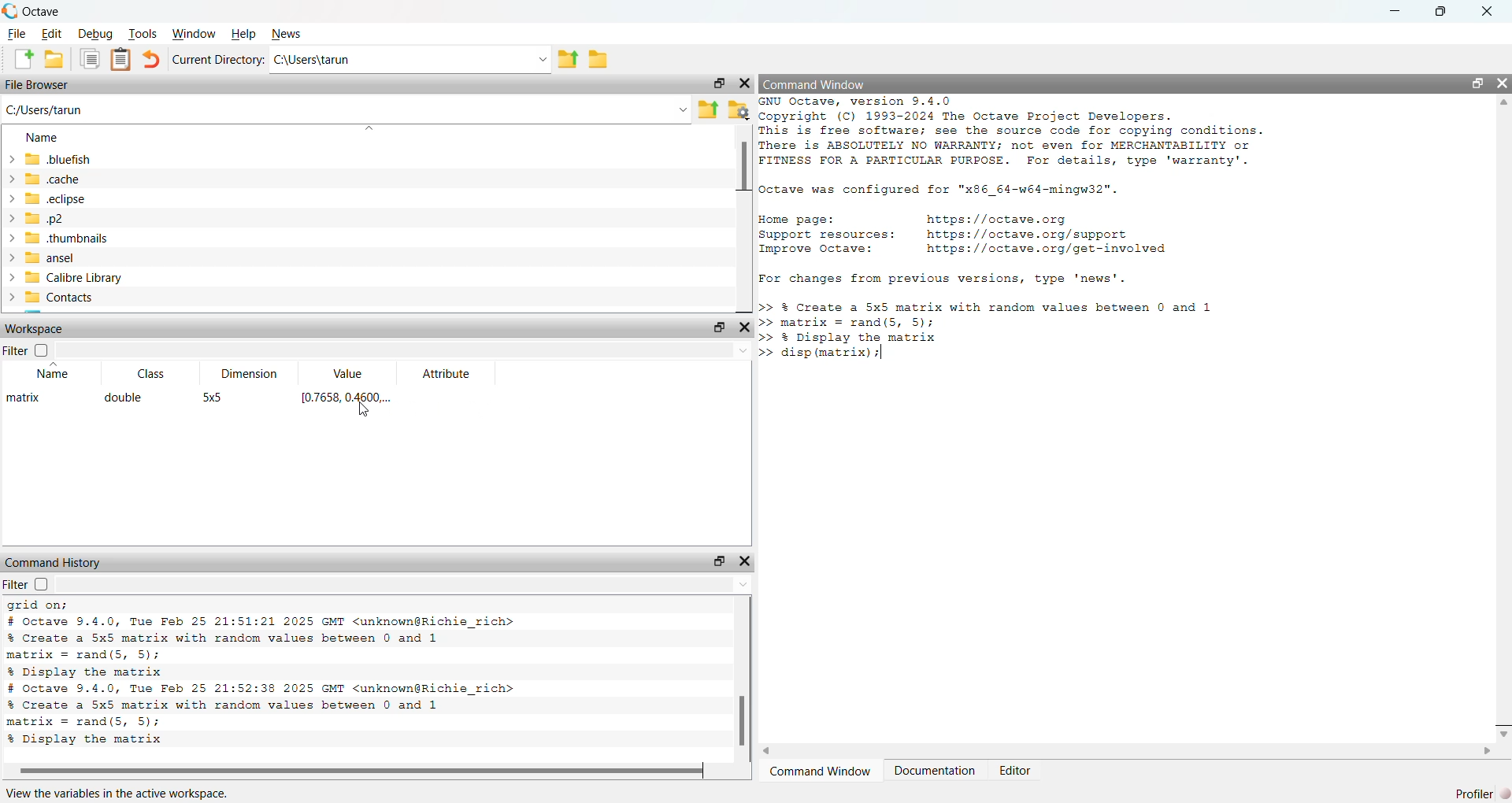  Describe the element at coordinates (345, 369) in the screenshot. I see `Value` at that location.